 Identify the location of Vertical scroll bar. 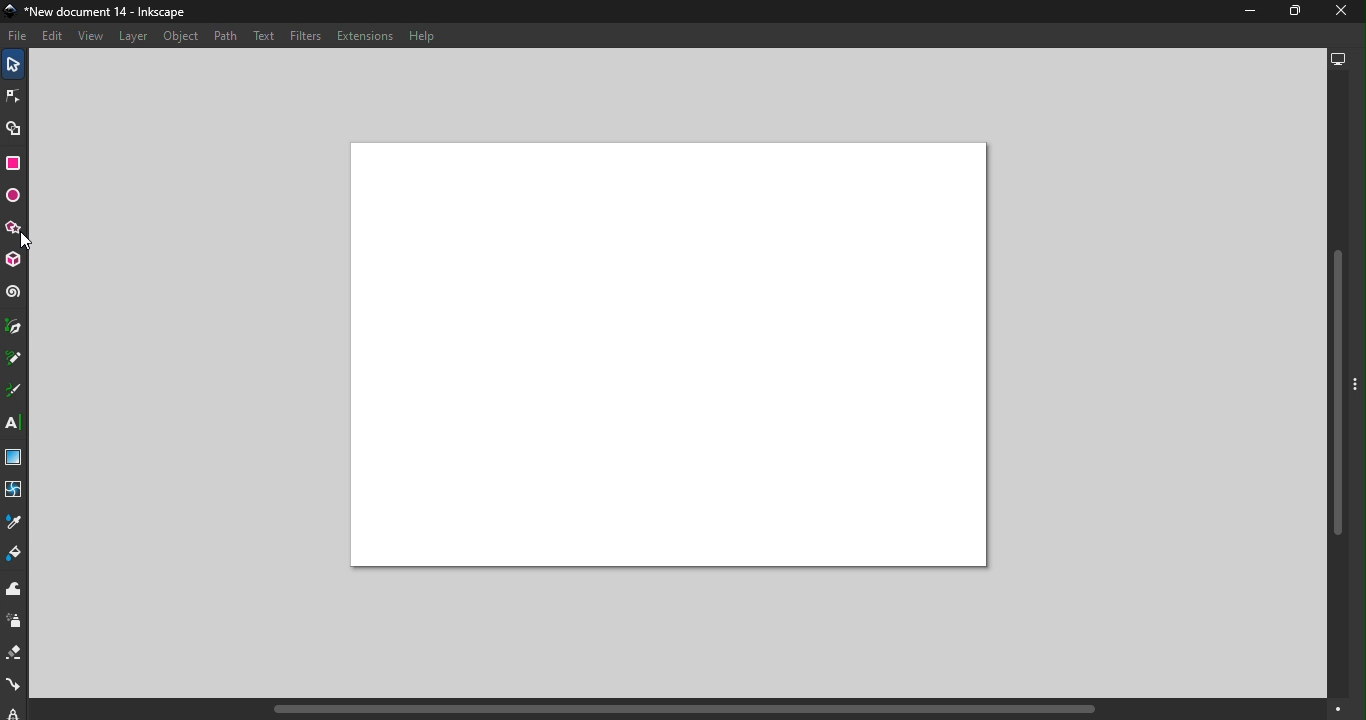
(1337, 386).